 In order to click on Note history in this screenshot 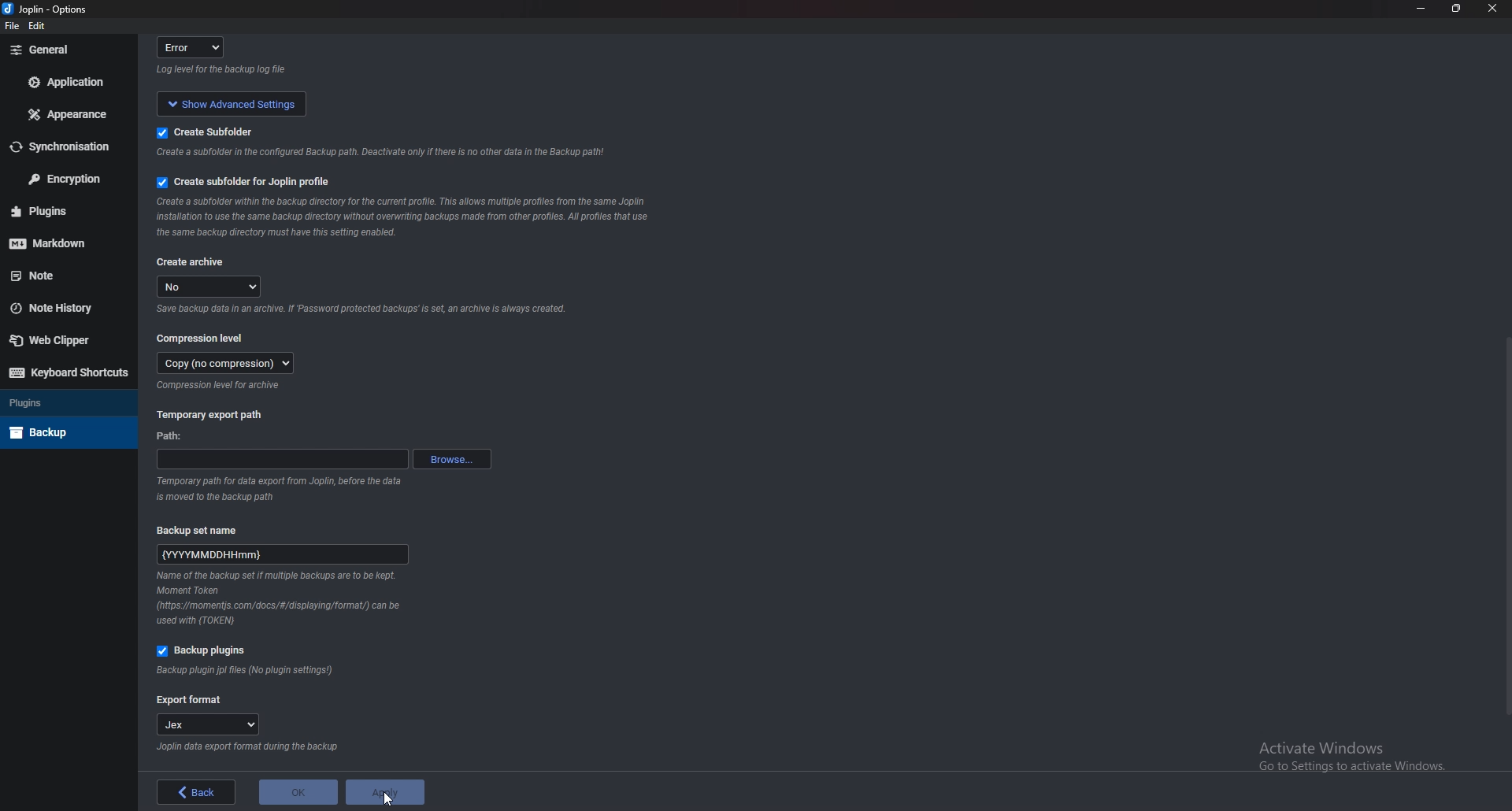, I will do `click(61, 308)`.